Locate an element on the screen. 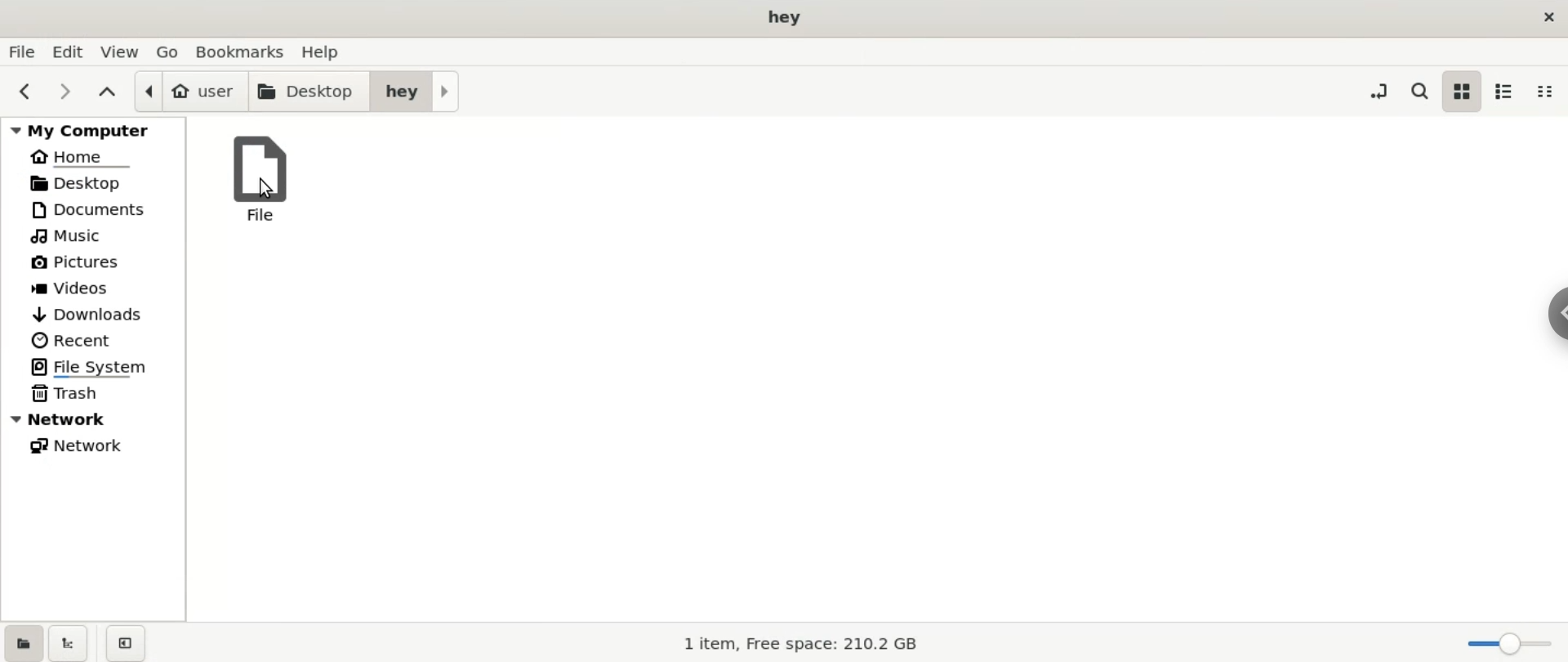  previous is located at coordinates (22, 89).